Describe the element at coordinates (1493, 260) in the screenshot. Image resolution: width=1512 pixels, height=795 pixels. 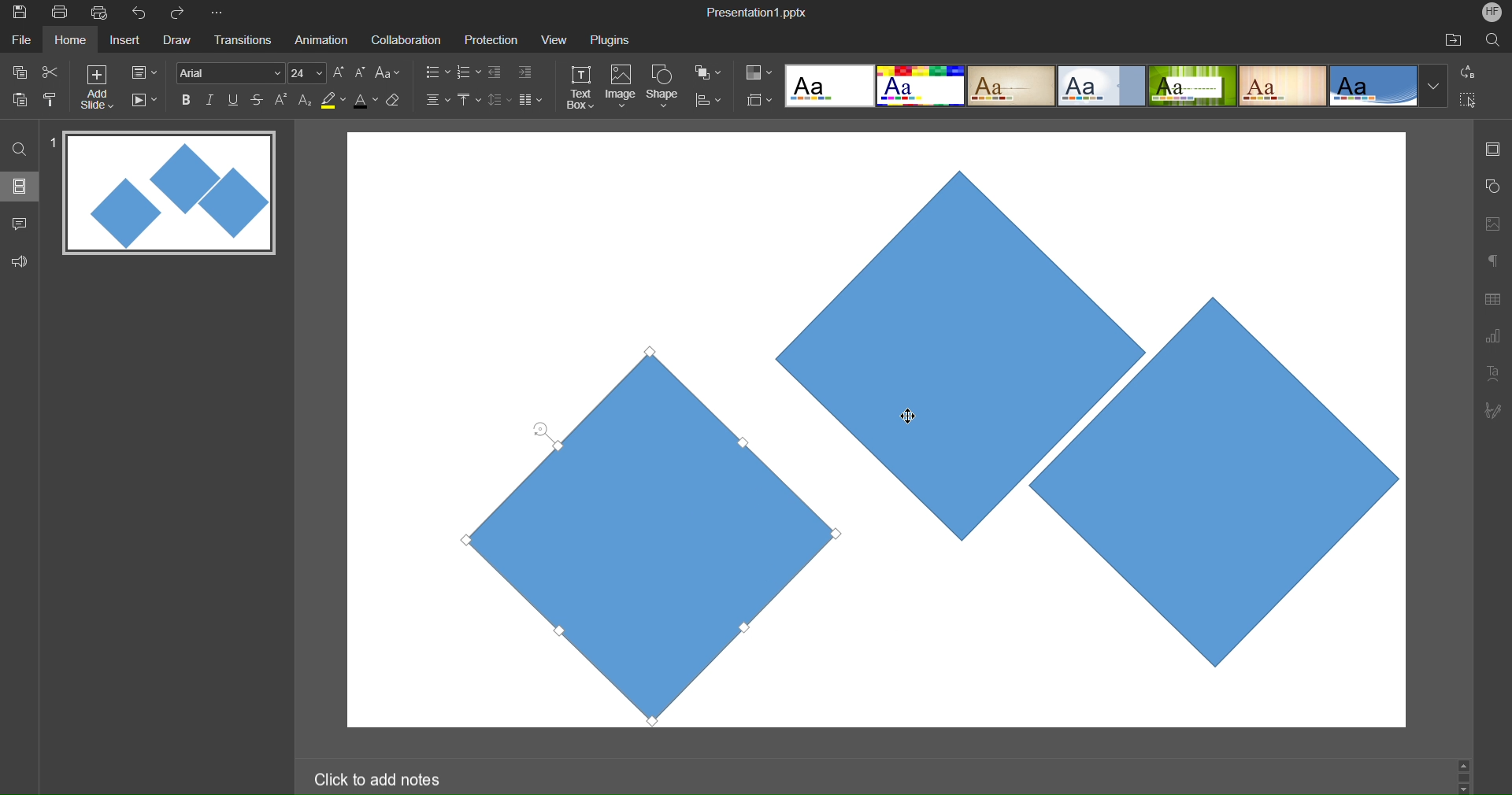
I see `Paragraph Settings` at that location.